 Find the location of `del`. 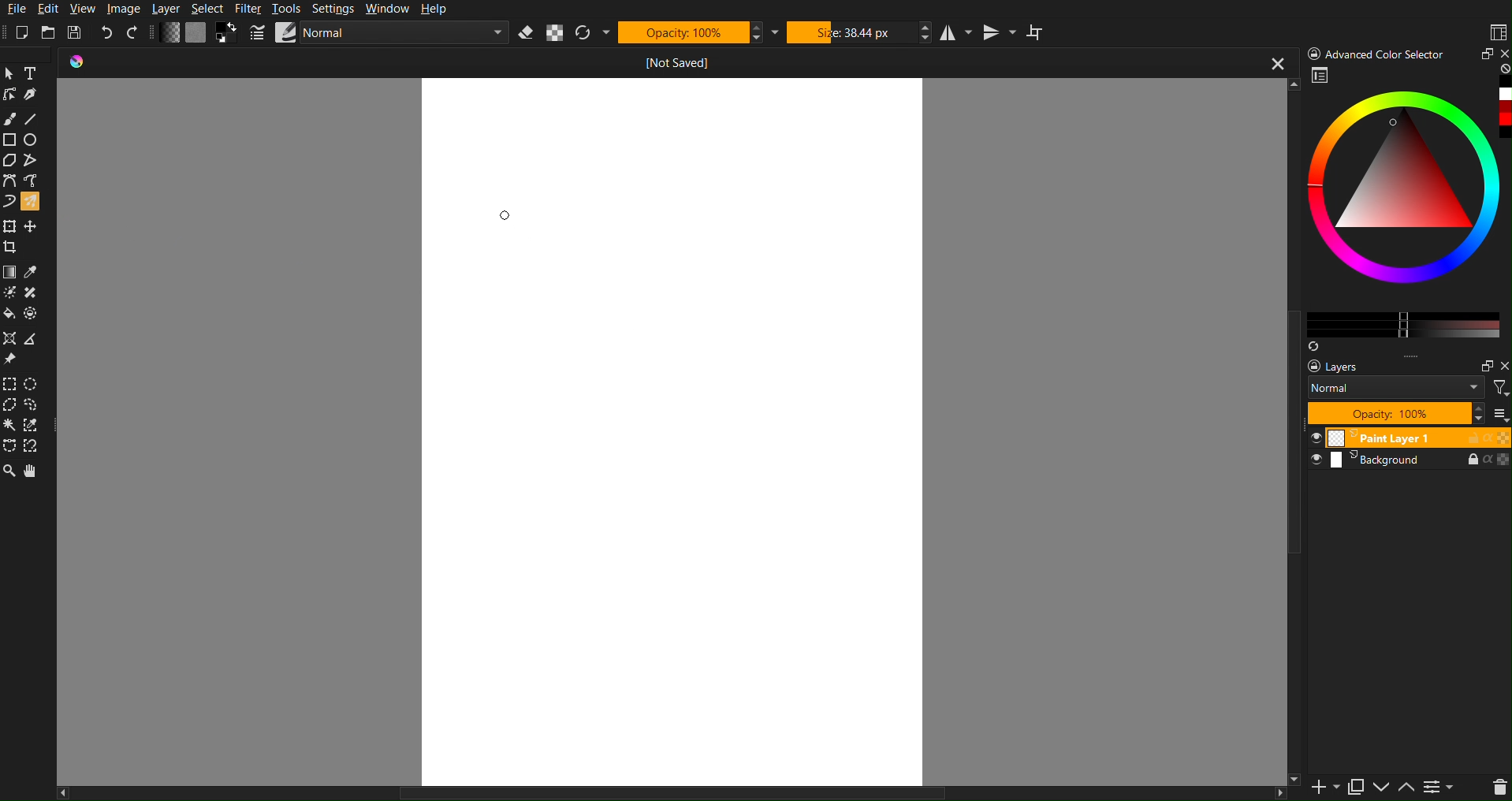

del is located at coordinates (1493, 788).